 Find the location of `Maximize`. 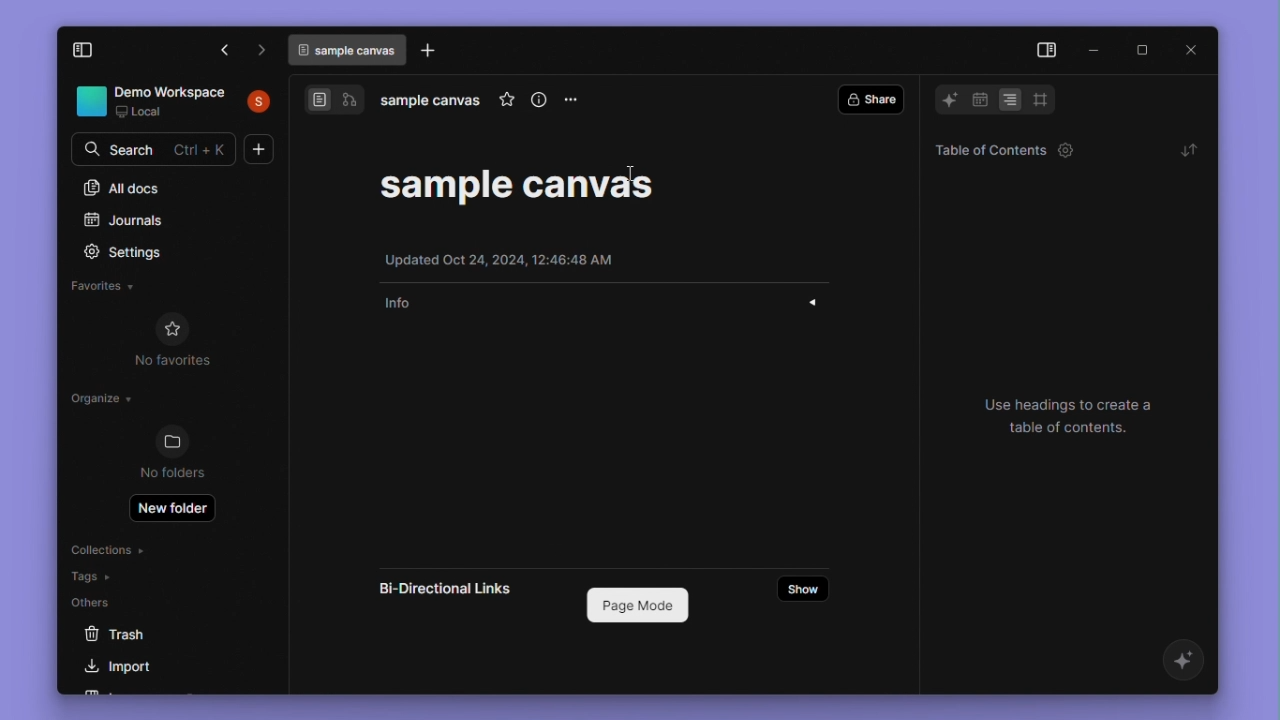

Maximize is located at coordinates (1141, 50).